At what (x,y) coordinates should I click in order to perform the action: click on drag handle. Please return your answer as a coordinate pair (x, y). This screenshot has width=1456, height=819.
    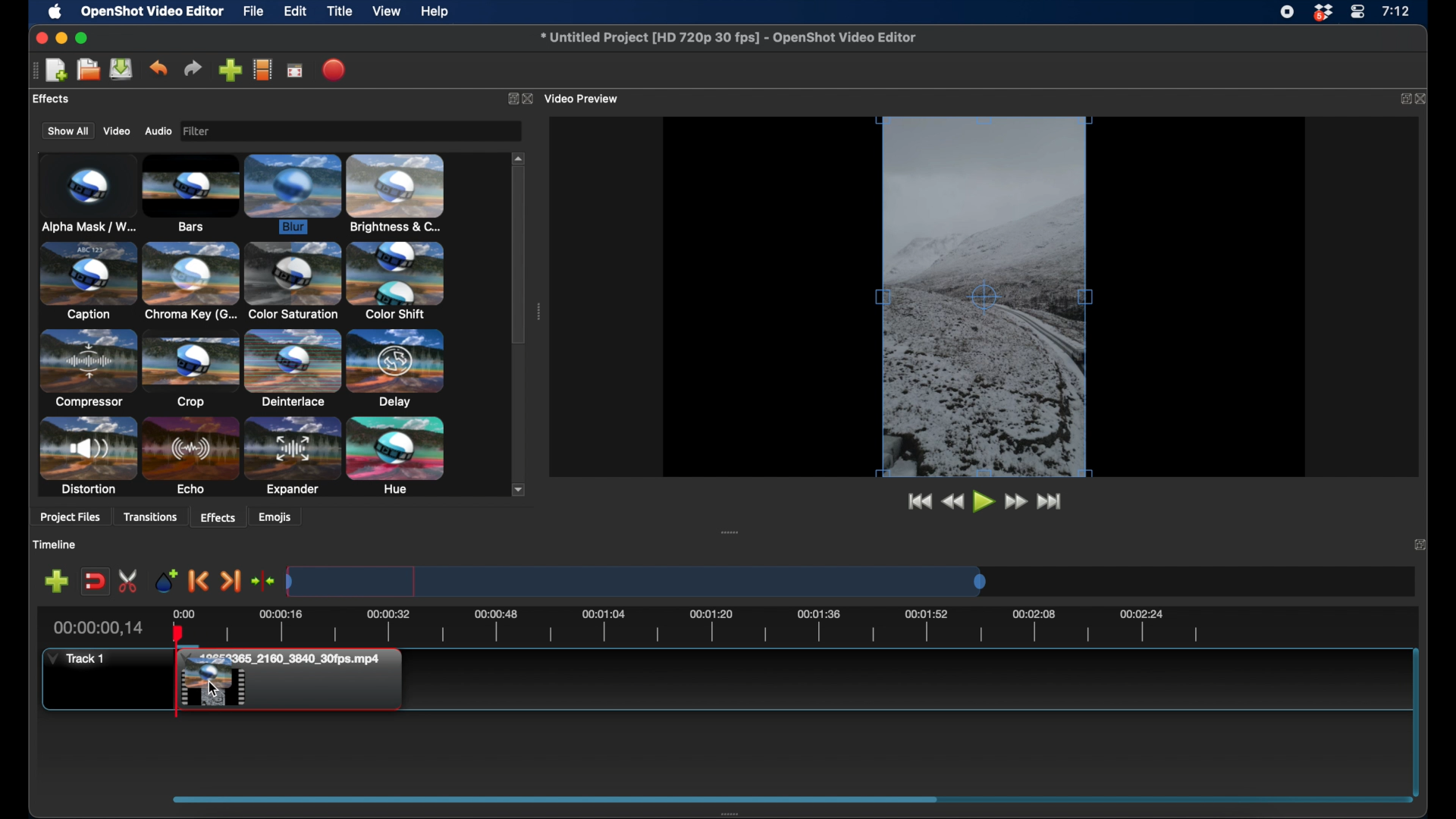
    Looking at the image, I should click on (730, 532).